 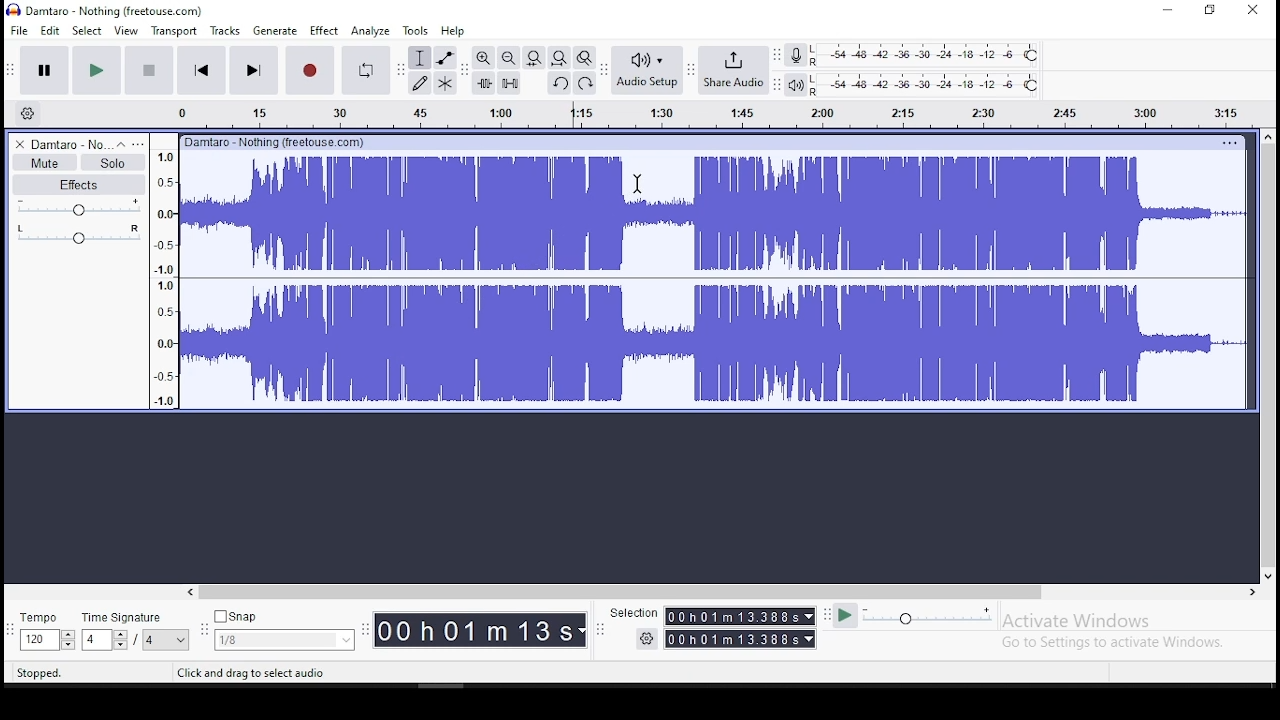 What do you see at coordinates (739, 639) in the screenshot?
I see `time menu` at bounding box center [739, 639].